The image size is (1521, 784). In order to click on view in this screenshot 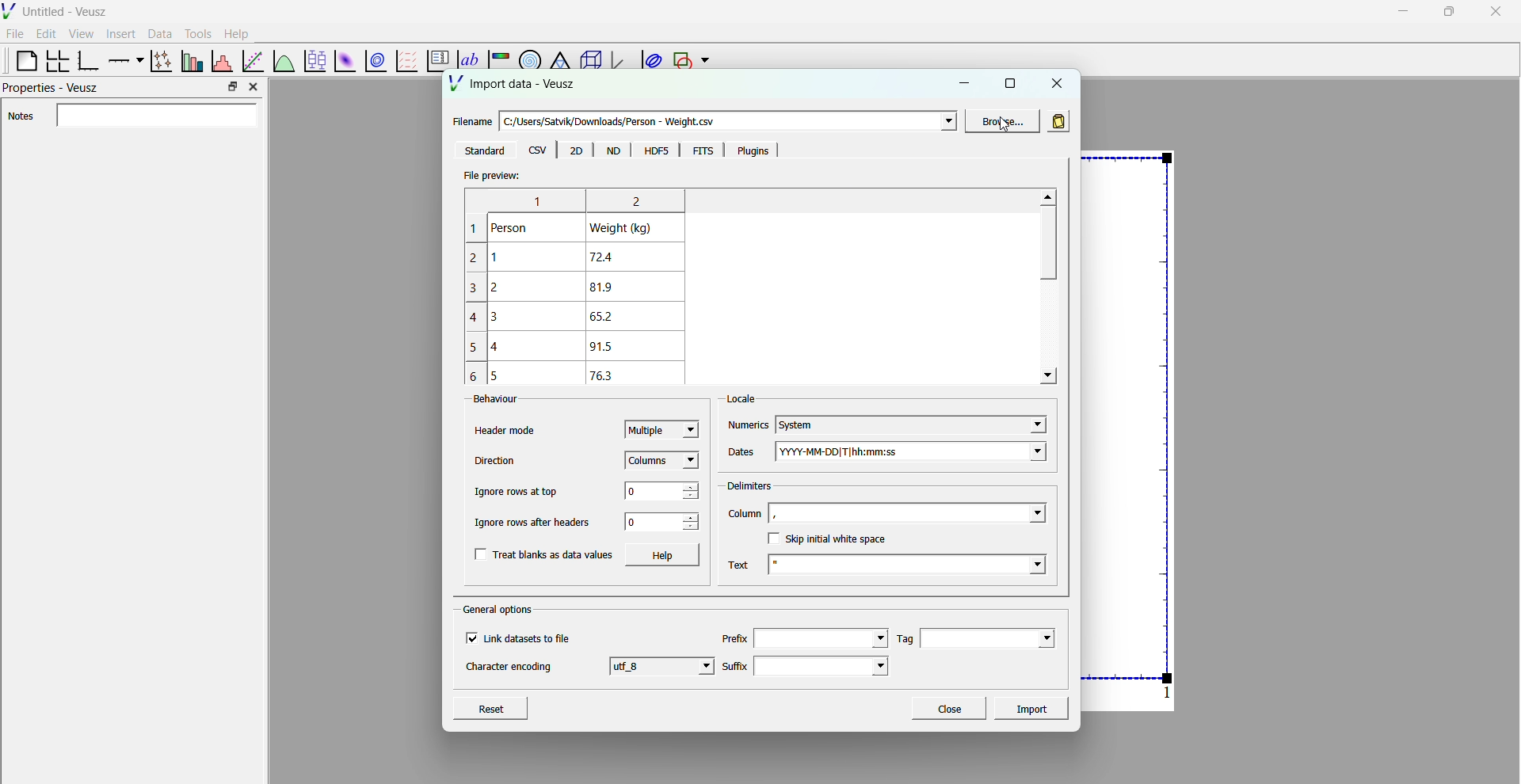, I will do `click(81, 36)`.